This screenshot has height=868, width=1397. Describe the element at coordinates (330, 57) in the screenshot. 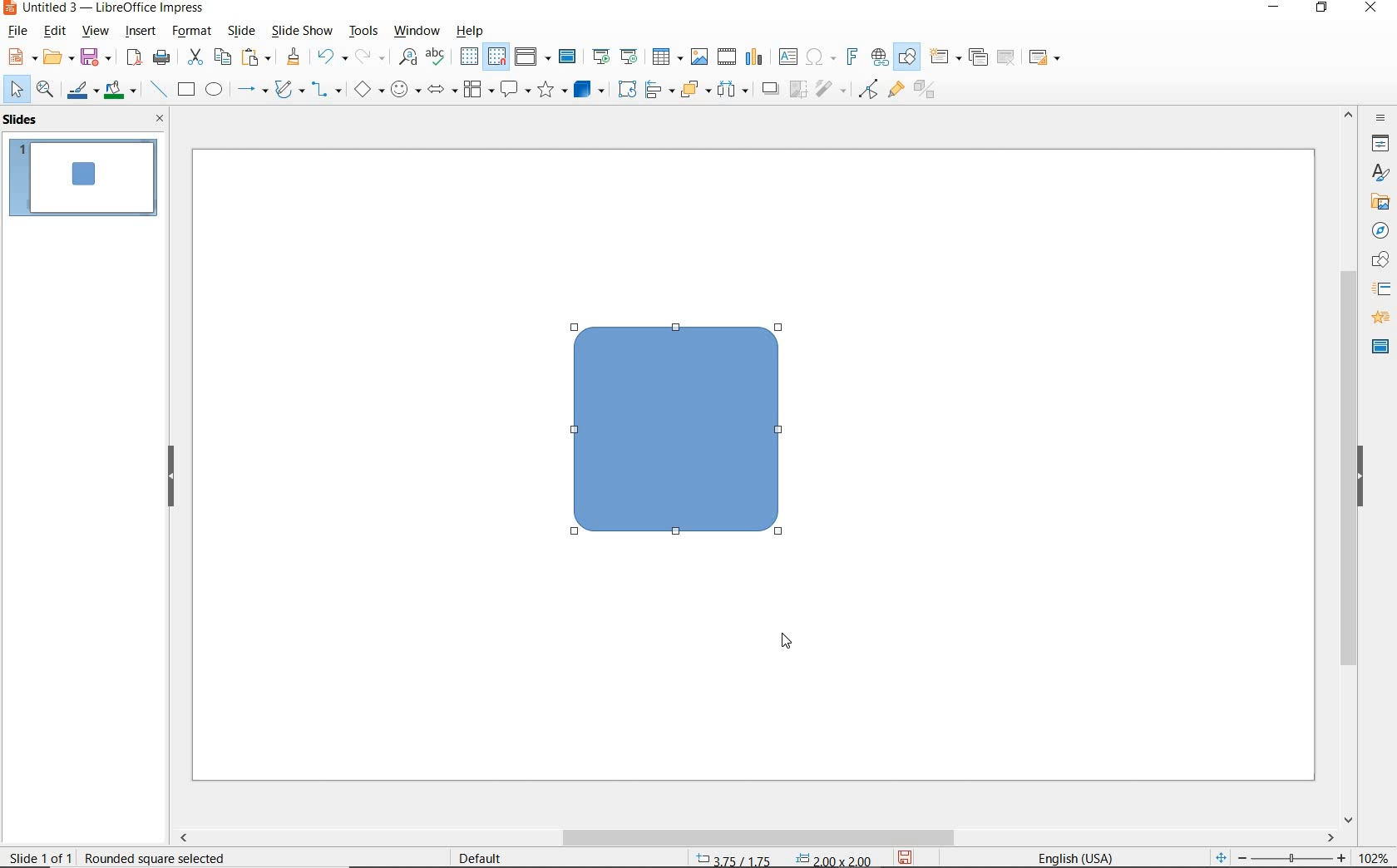

I see `undo` at that location.